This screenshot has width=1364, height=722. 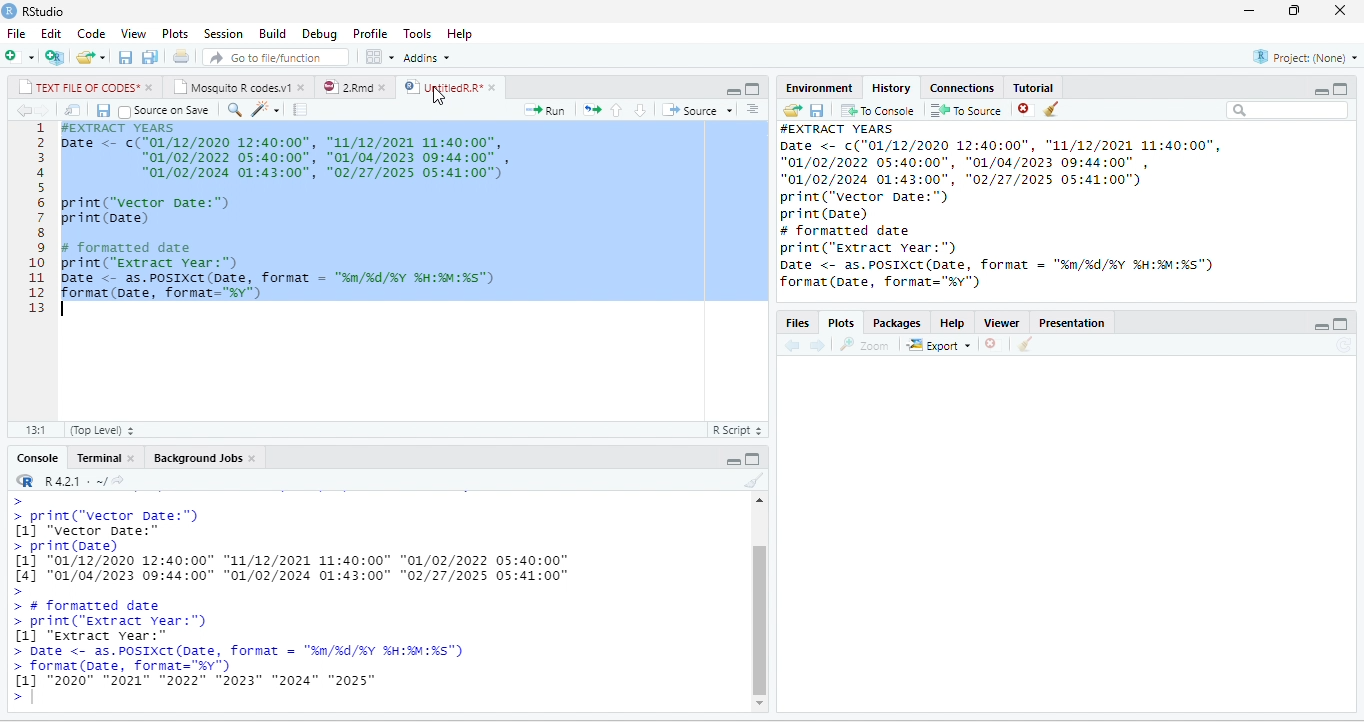 I want to click on open in new window, so click(x=74, y=110).